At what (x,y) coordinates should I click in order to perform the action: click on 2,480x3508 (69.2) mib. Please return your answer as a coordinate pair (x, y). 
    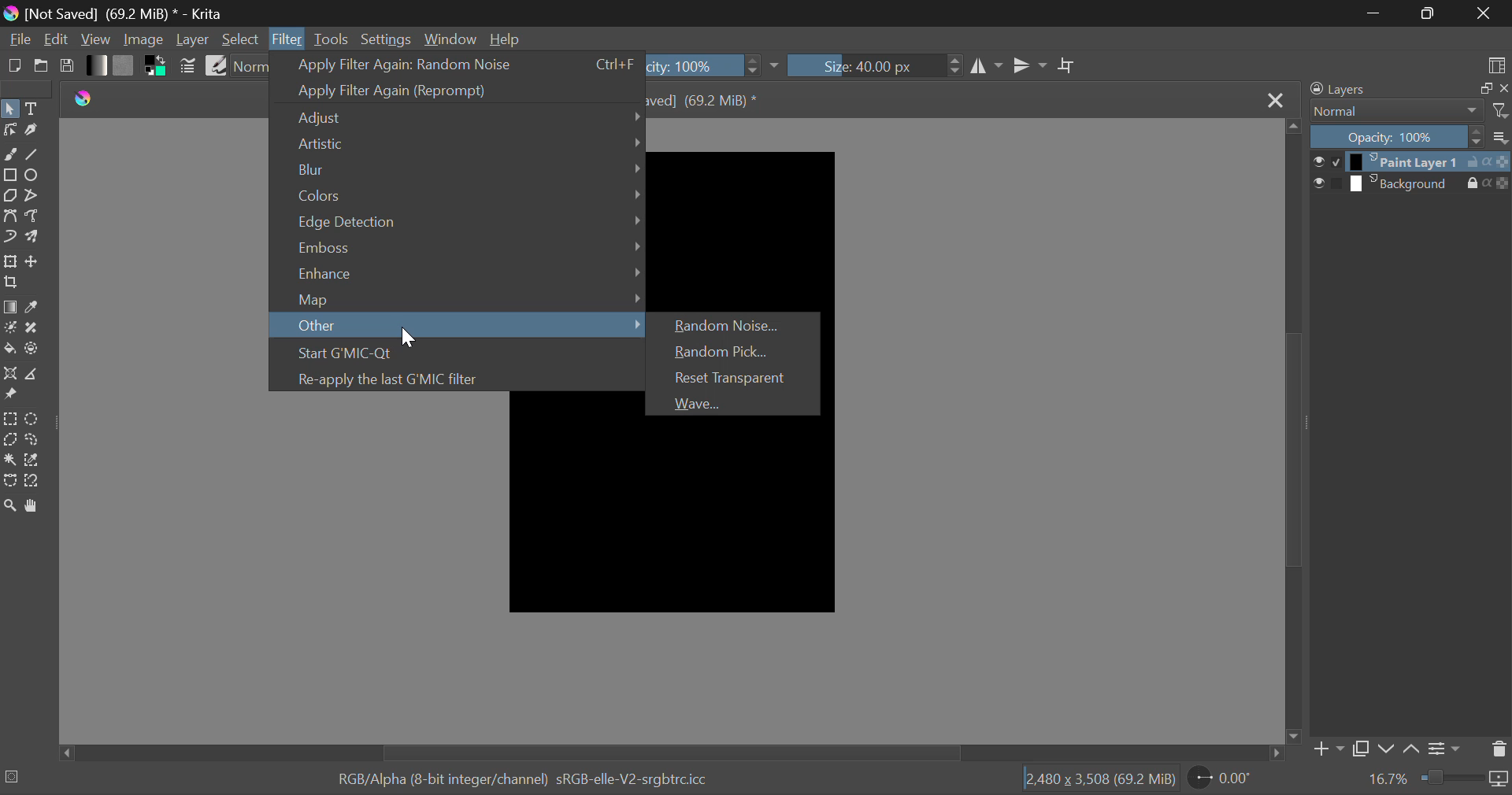
    Looking at the image, I should click on (1095, 782).